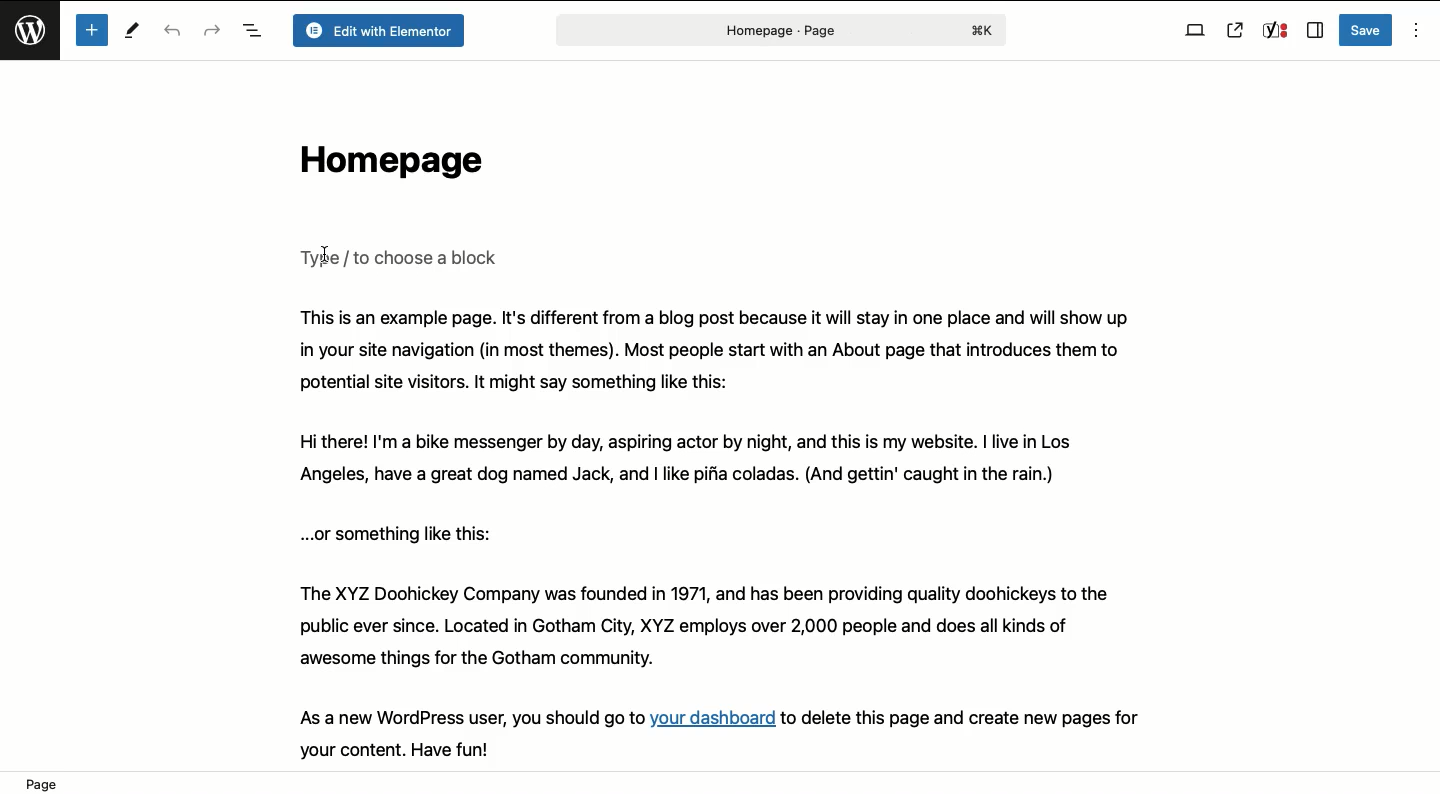  I want to click on Sidebar, so click(1314, 31).